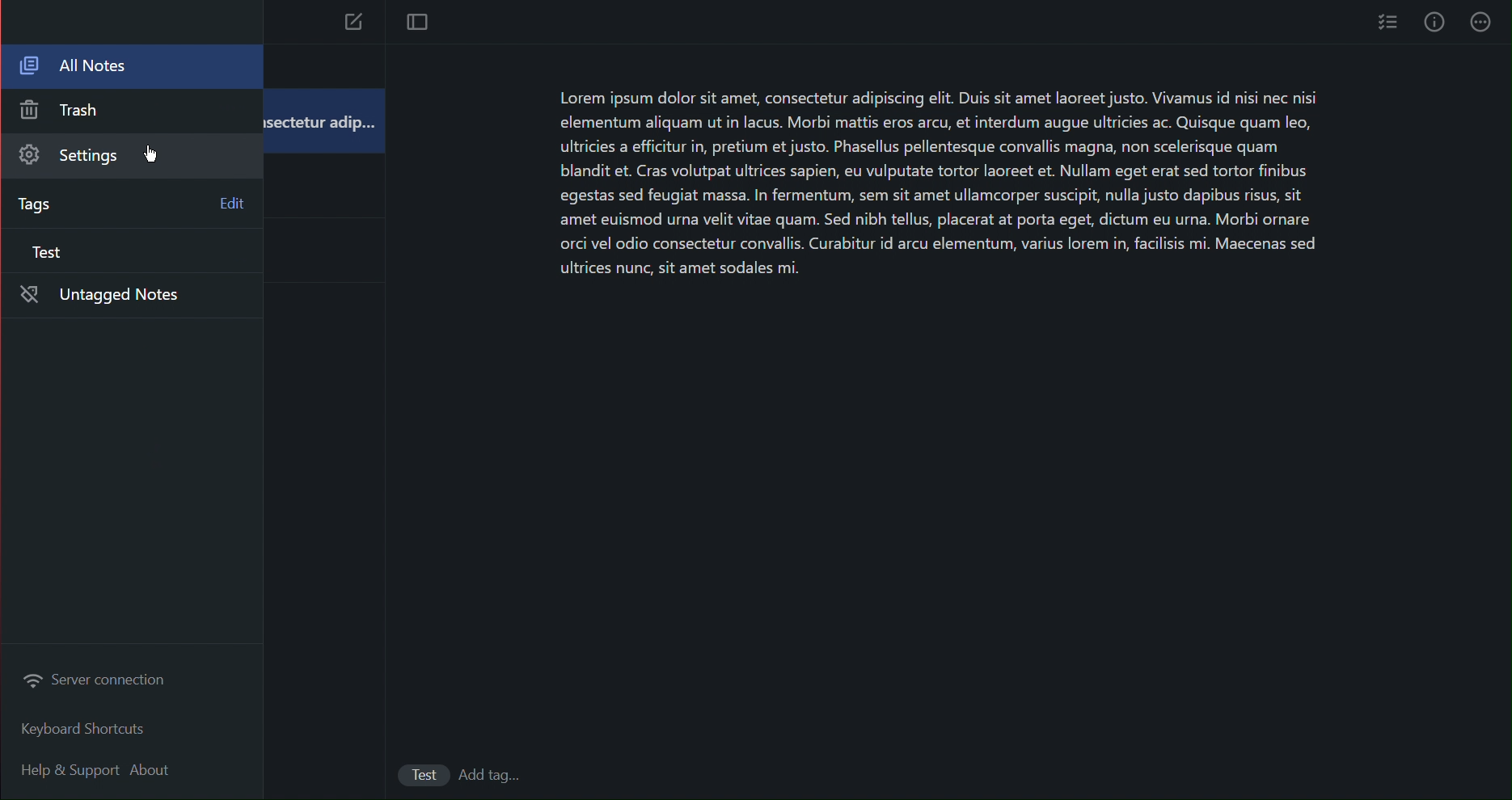 The image size is (1512, 800). Describe the element at coordinates (88, 156) in the screenshot. I see `Settings` at that location.